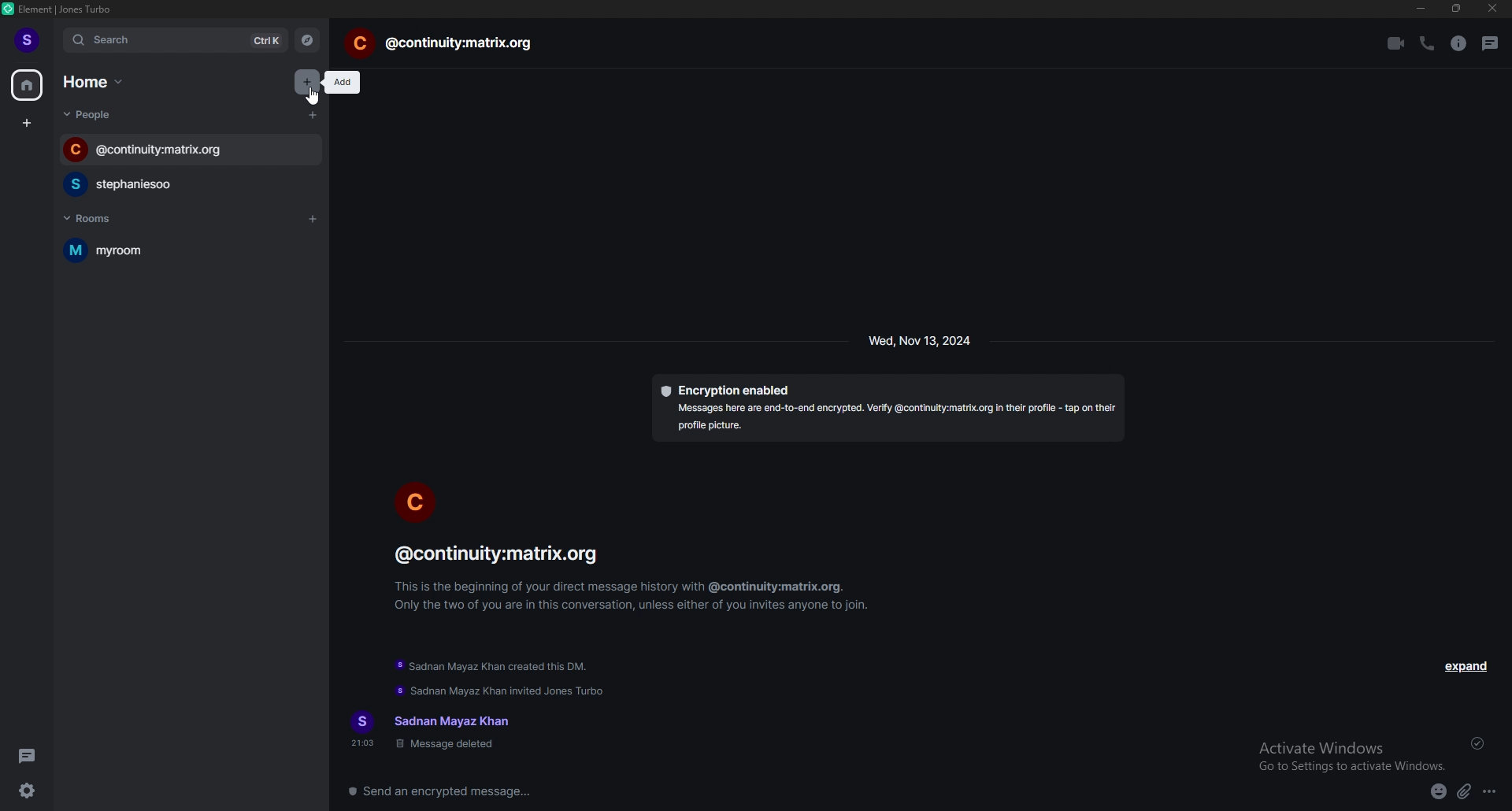  What do you see at coordinates (28, 756) in the screenshot?
I see `threads` at bounding box center [28, 756].